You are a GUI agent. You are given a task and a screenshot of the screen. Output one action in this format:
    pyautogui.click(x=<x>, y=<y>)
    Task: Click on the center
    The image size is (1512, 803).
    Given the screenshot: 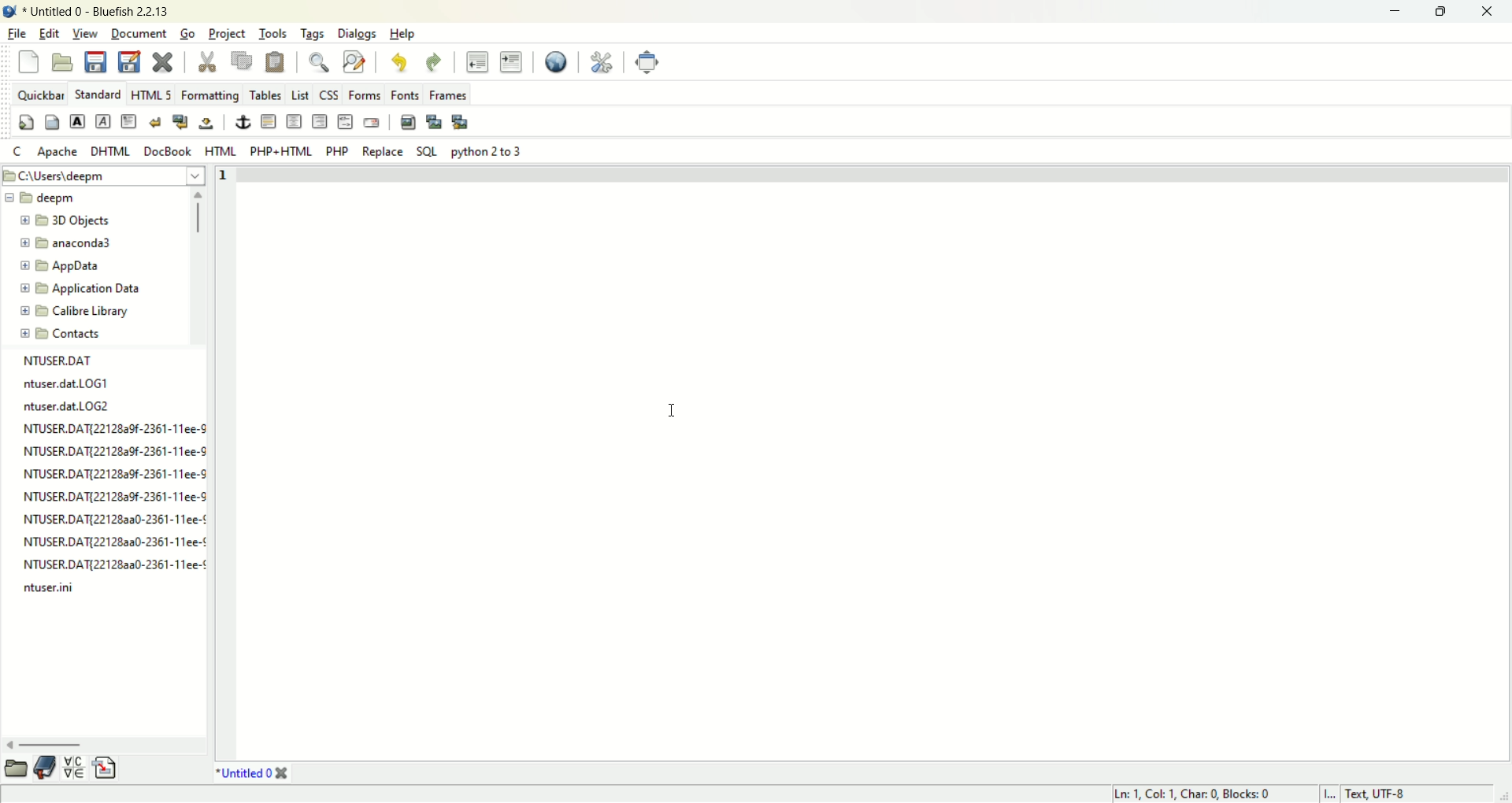 What is the action you would take?
    pyautogui.click(x=294, y=121)
    